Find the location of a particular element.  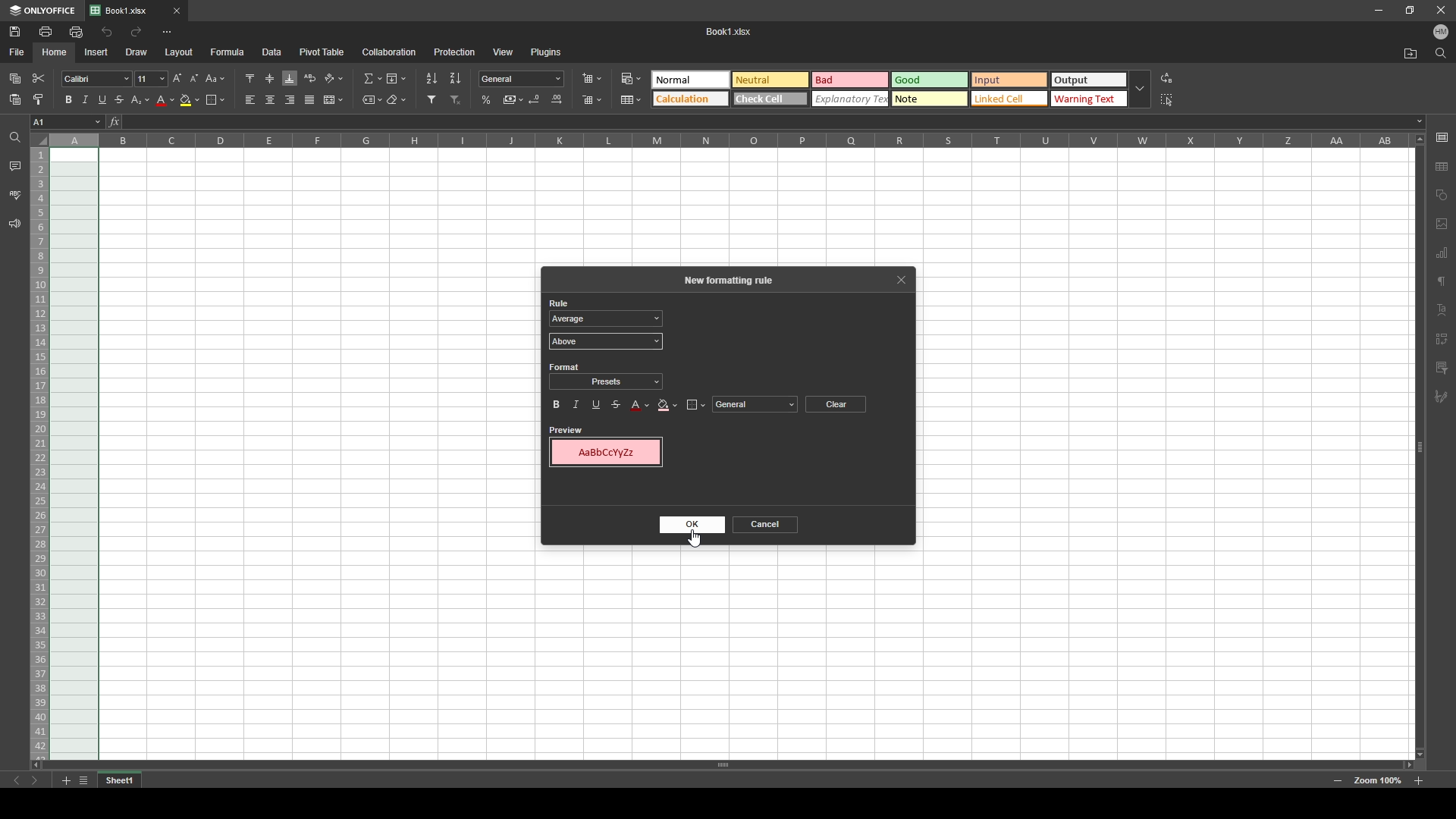

theme selection is located at coordinates (887, 89).